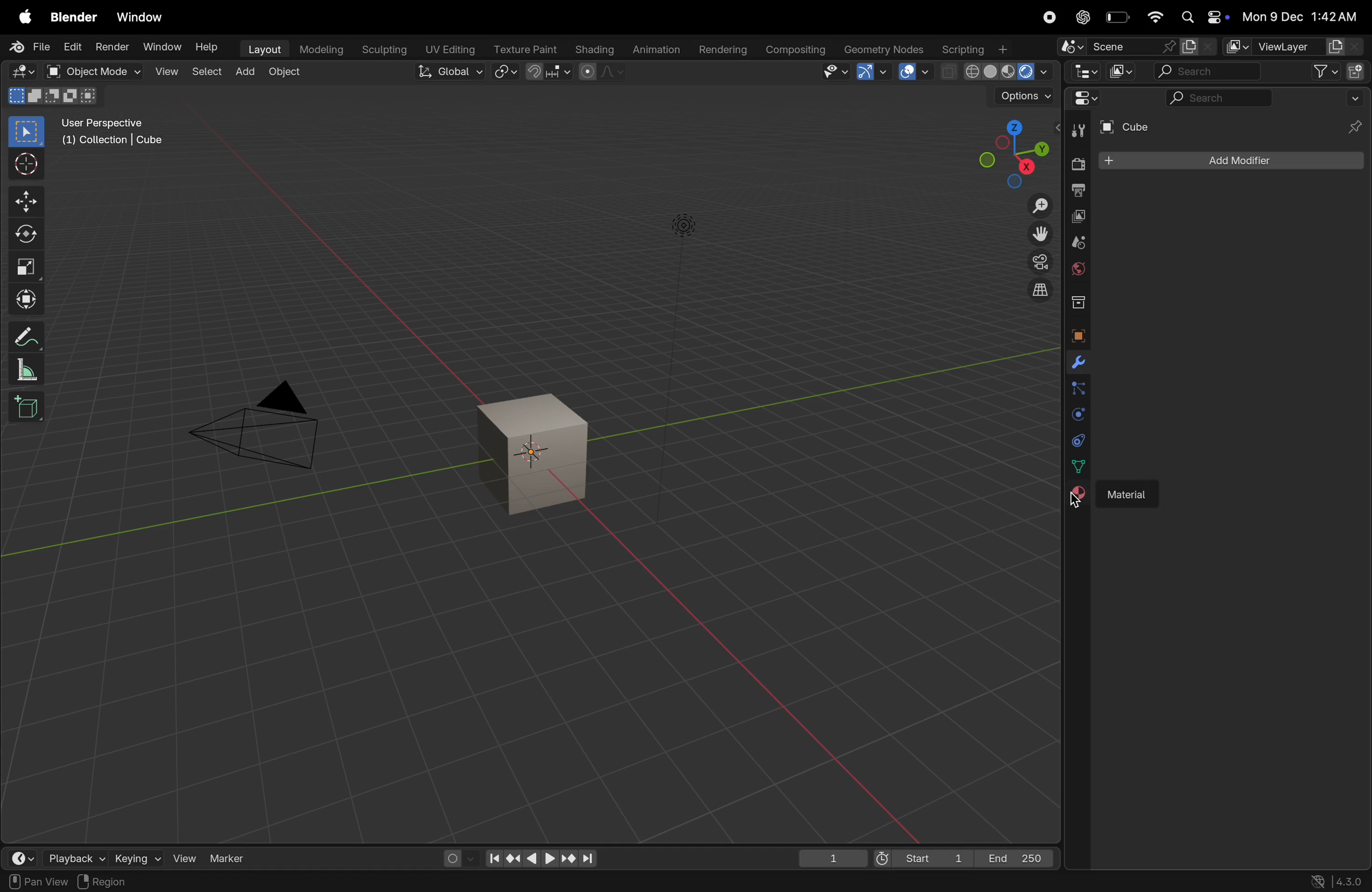  Describe the element at coordinates (232, 857) in the screenshot. I see `marker` at that location.